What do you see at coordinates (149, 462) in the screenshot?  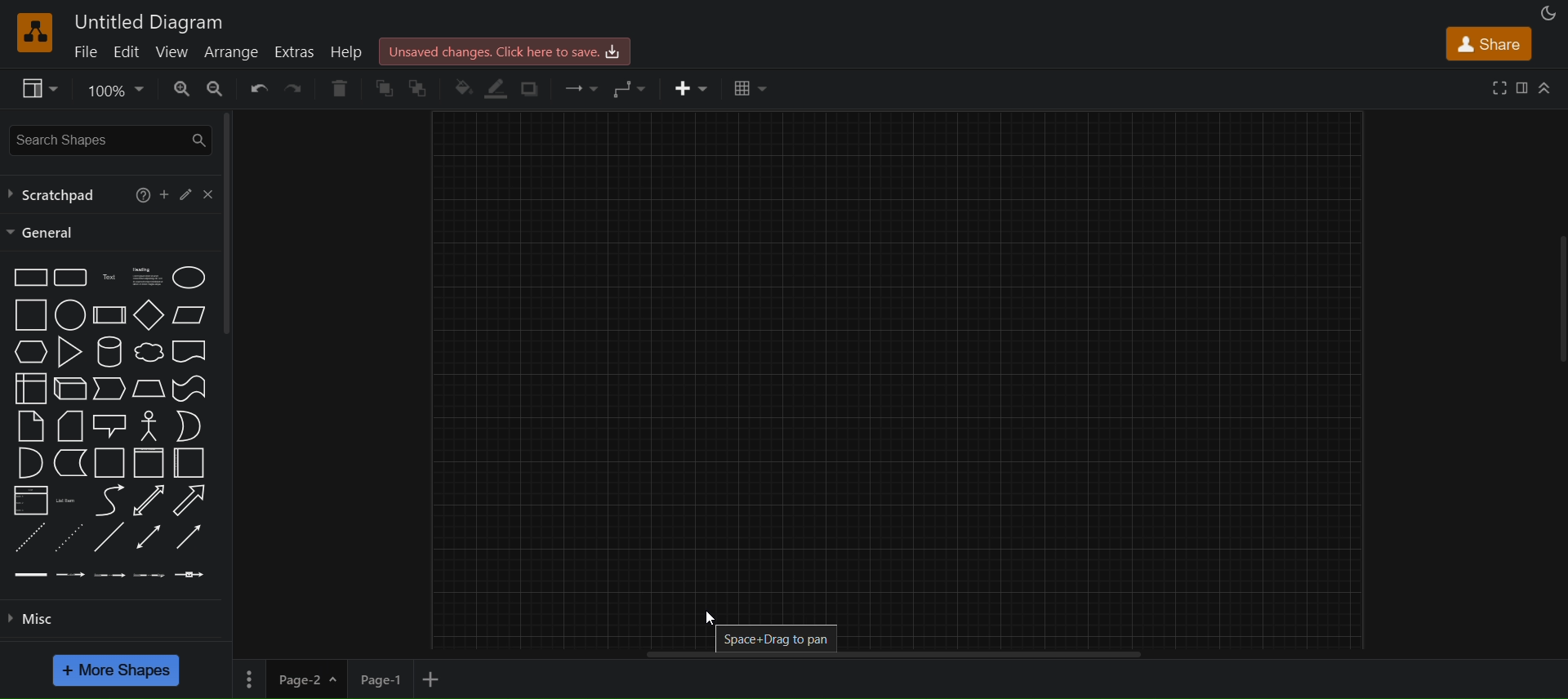 I see `vertical container` at bounding box center [149, 462].